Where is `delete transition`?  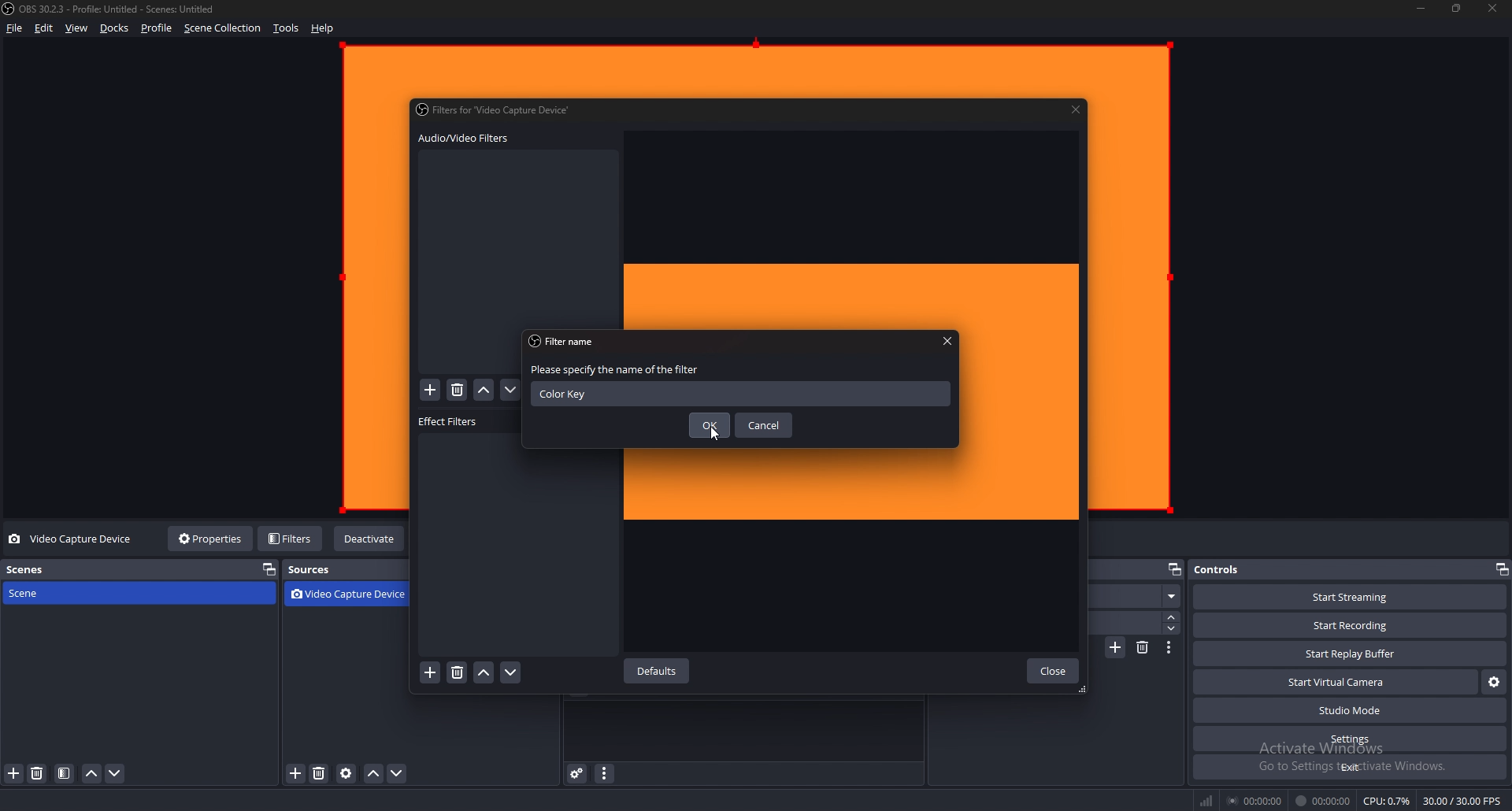 delete transition is located at coordinates (1143, 647).